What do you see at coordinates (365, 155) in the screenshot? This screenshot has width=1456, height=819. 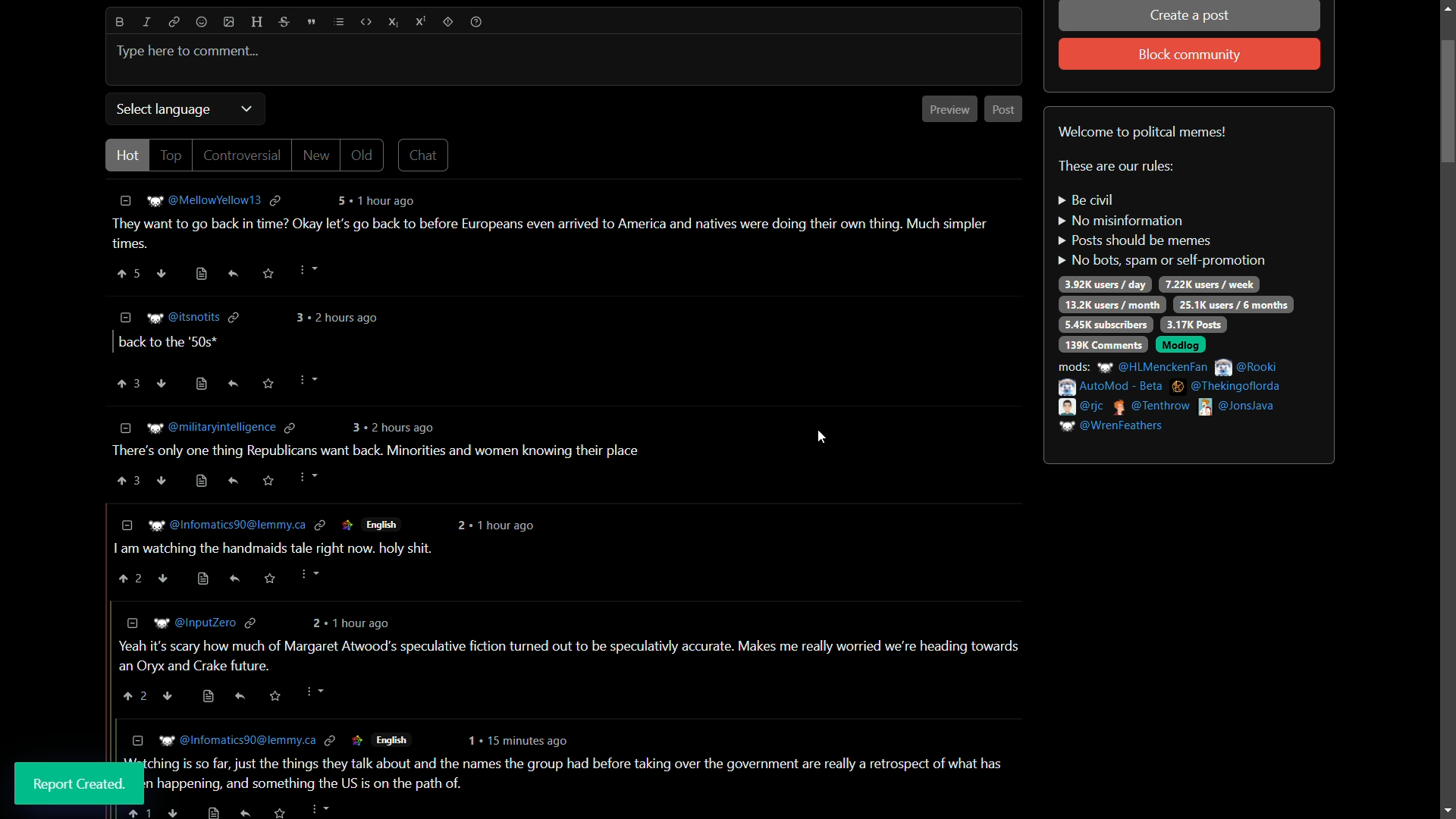 I see `old` at bounding box center [365, 155].